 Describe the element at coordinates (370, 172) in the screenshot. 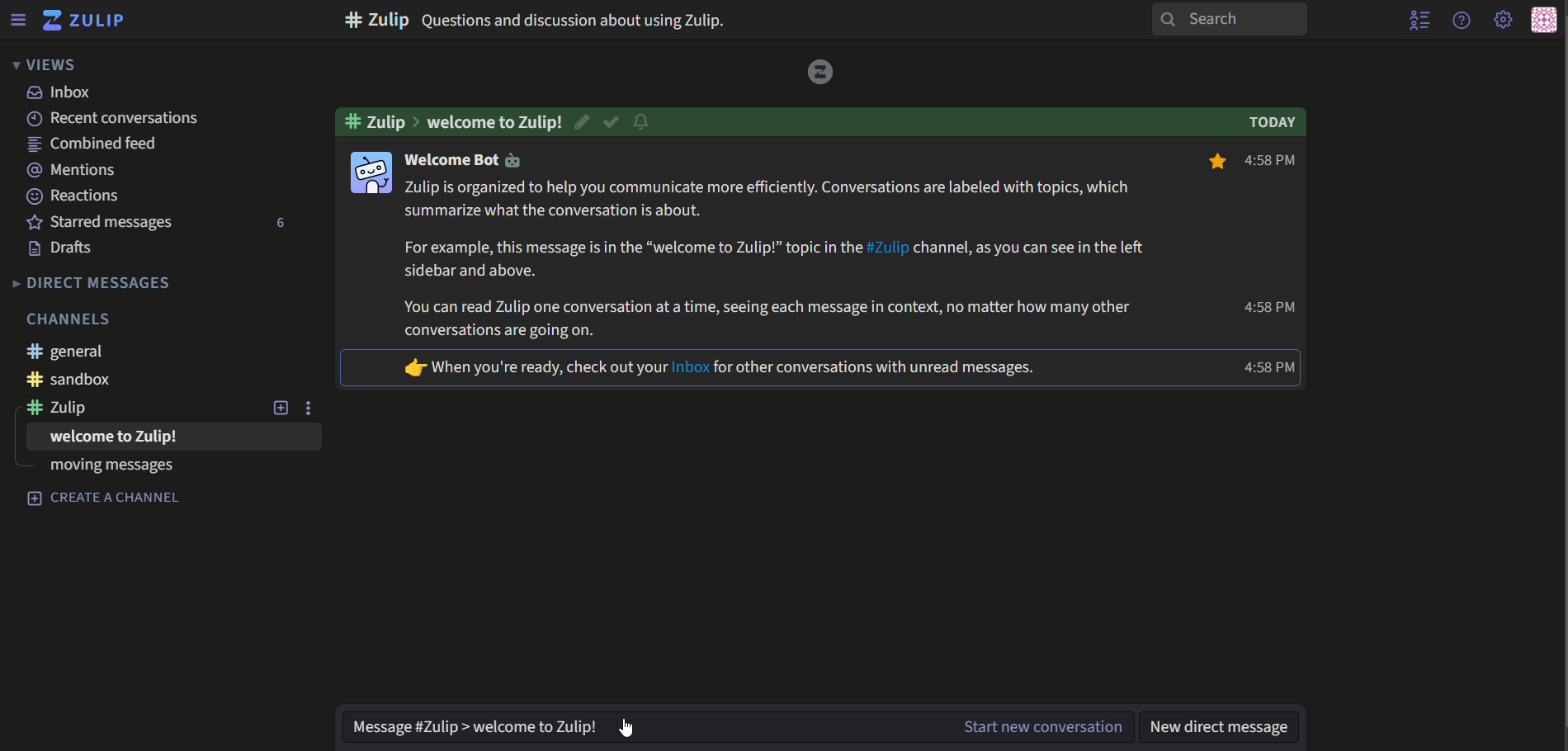

I see `icon` at that location.